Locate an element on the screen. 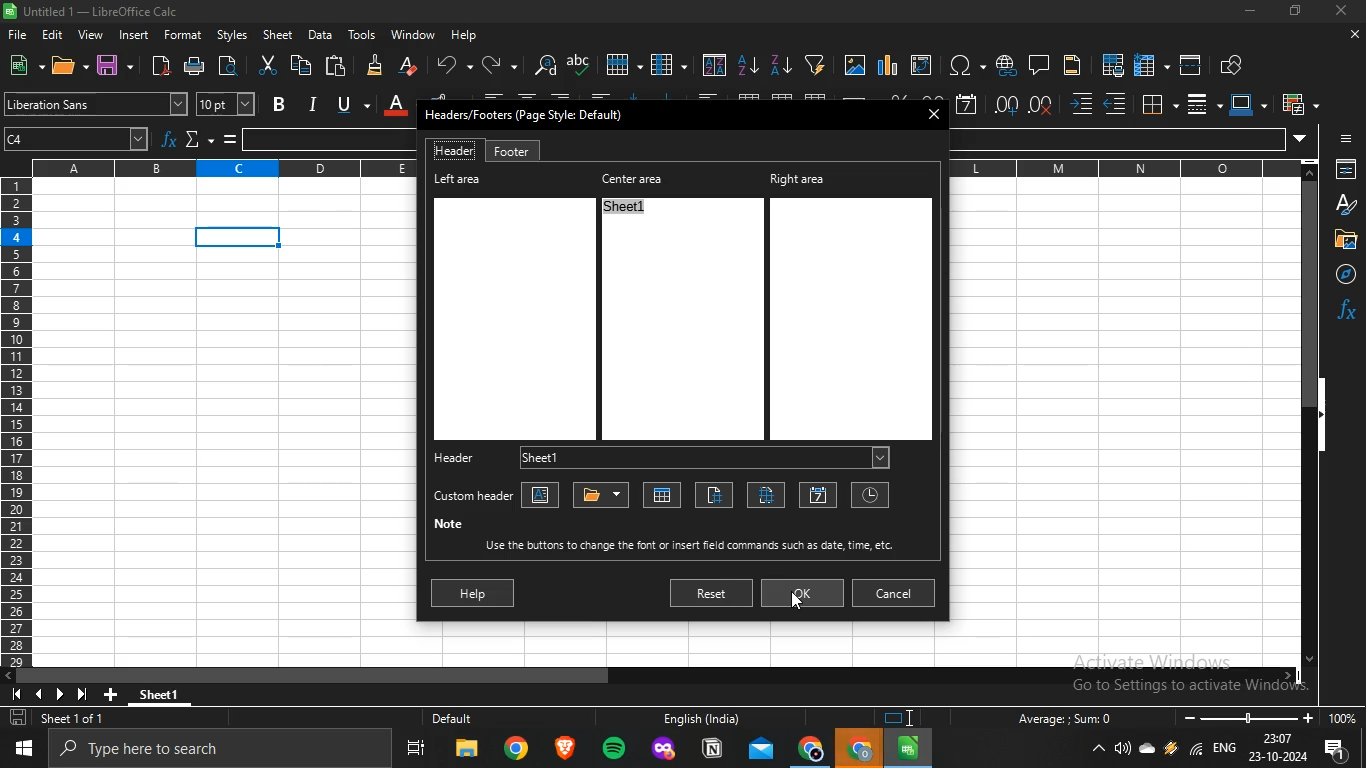  styles is located at coordinates (231, 36).